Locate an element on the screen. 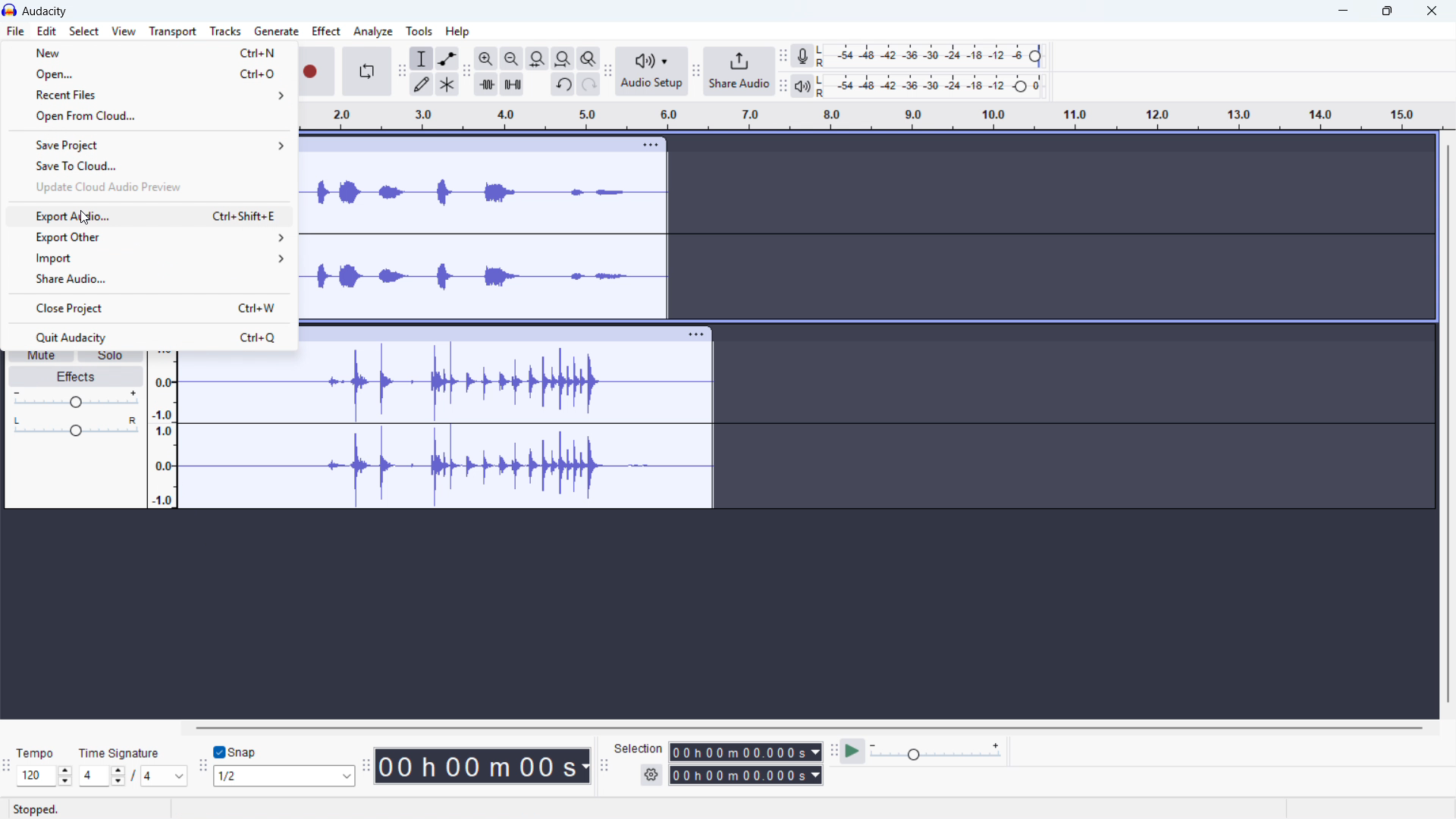 This screenshot has width=1456, height=819. Envelope tool  is located at coordinates (447, 58).